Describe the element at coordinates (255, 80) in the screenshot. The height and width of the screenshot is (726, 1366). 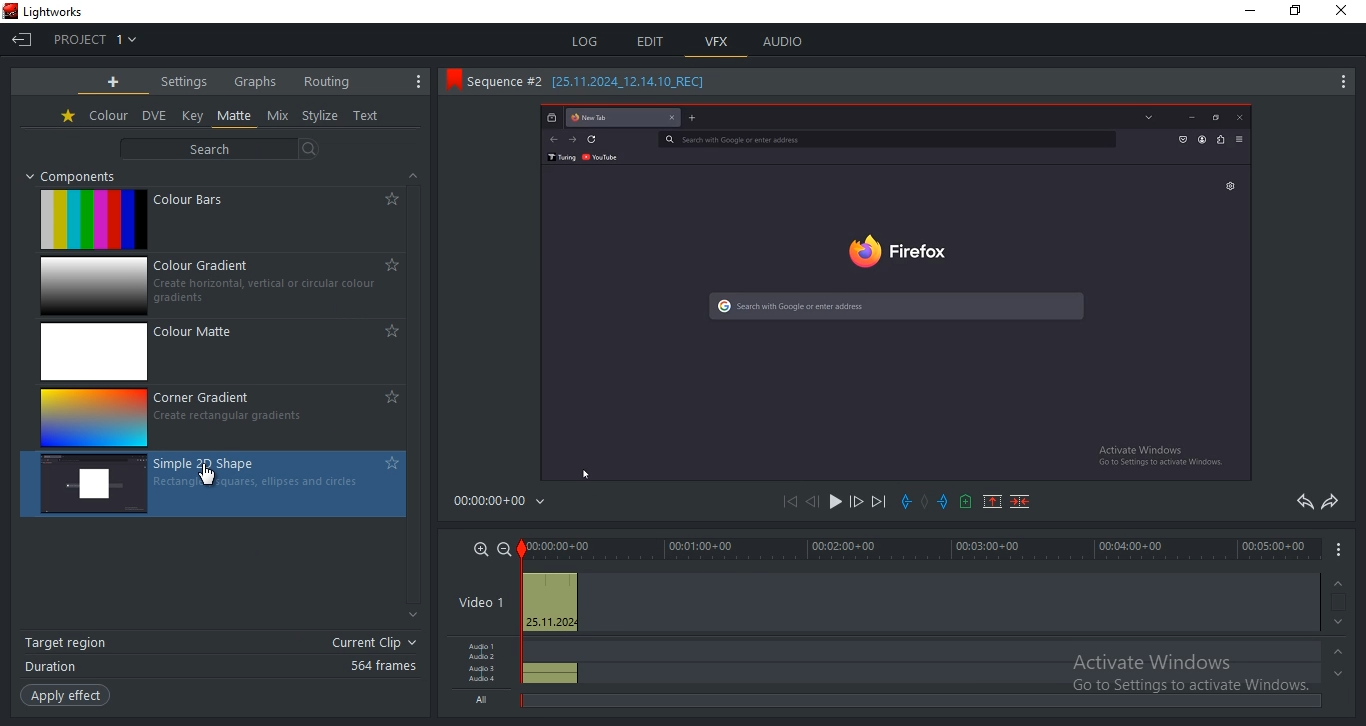
I see `graphs` at that location.